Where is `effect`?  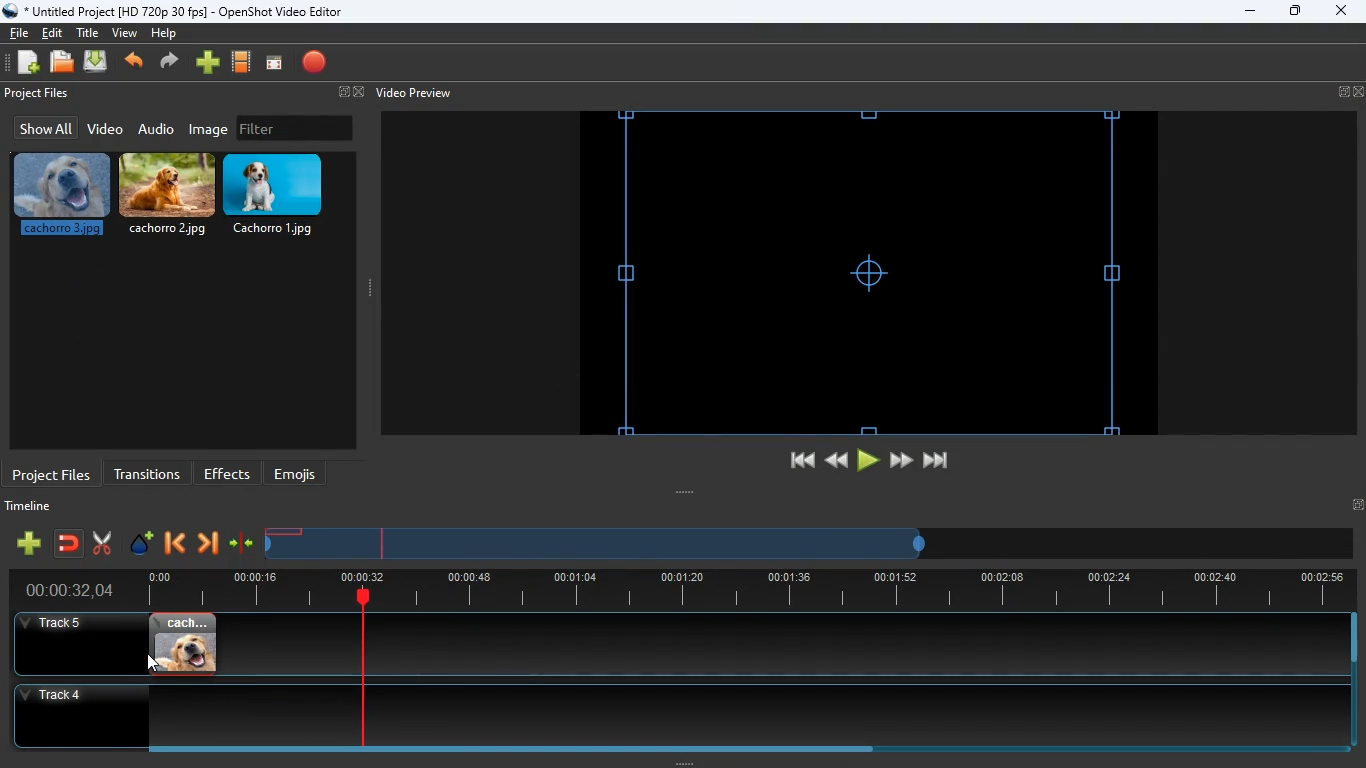
effect is located at coordinates (142, 545).